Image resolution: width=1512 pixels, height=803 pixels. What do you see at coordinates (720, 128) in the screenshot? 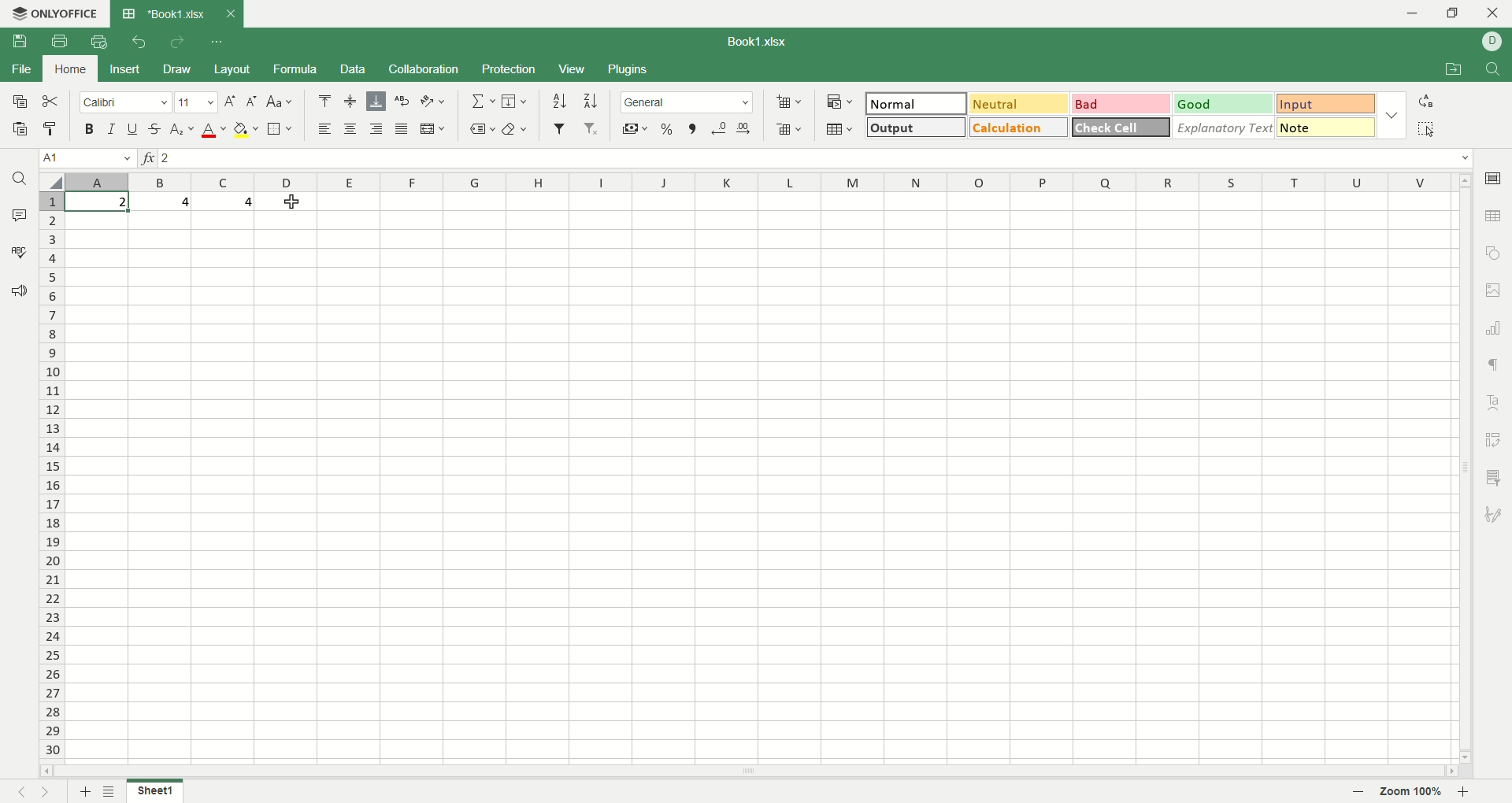
I see `decrease decimal` at bounding box center [720, 128].